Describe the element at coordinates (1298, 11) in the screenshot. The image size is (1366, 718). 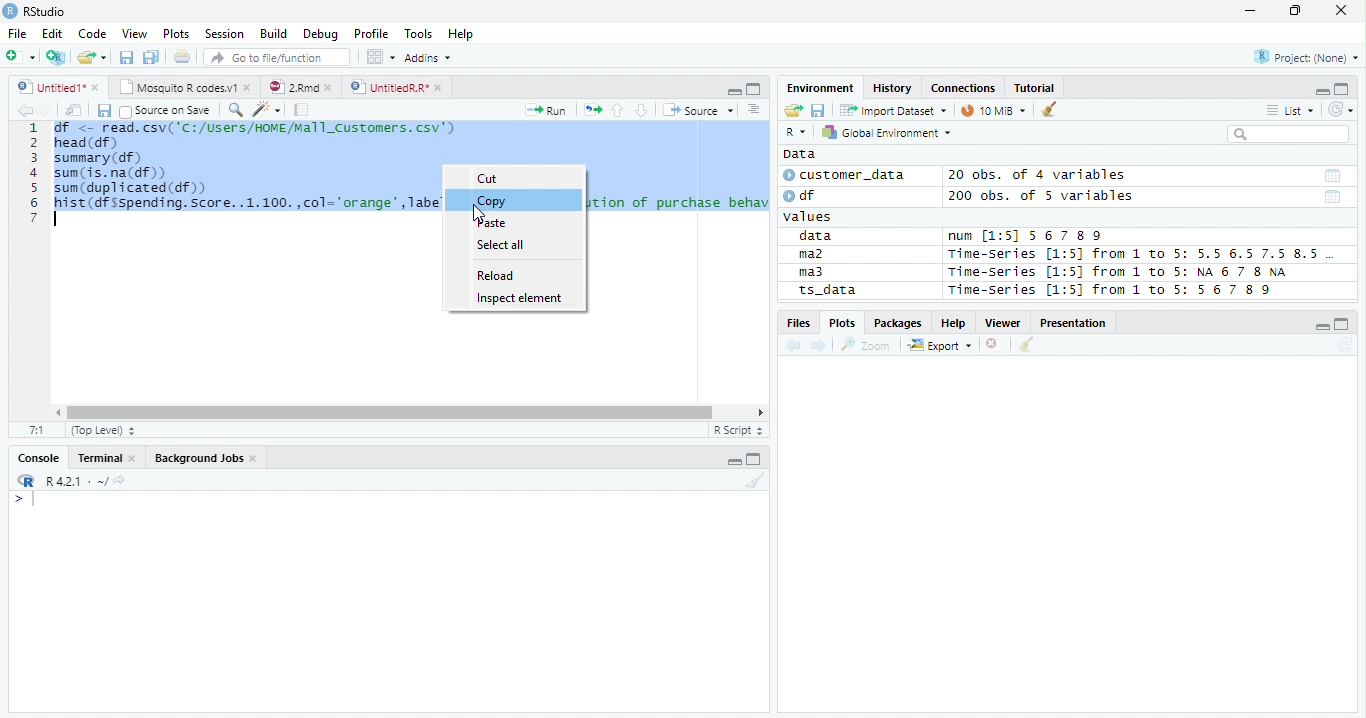
I see `Restore Down` at that location.